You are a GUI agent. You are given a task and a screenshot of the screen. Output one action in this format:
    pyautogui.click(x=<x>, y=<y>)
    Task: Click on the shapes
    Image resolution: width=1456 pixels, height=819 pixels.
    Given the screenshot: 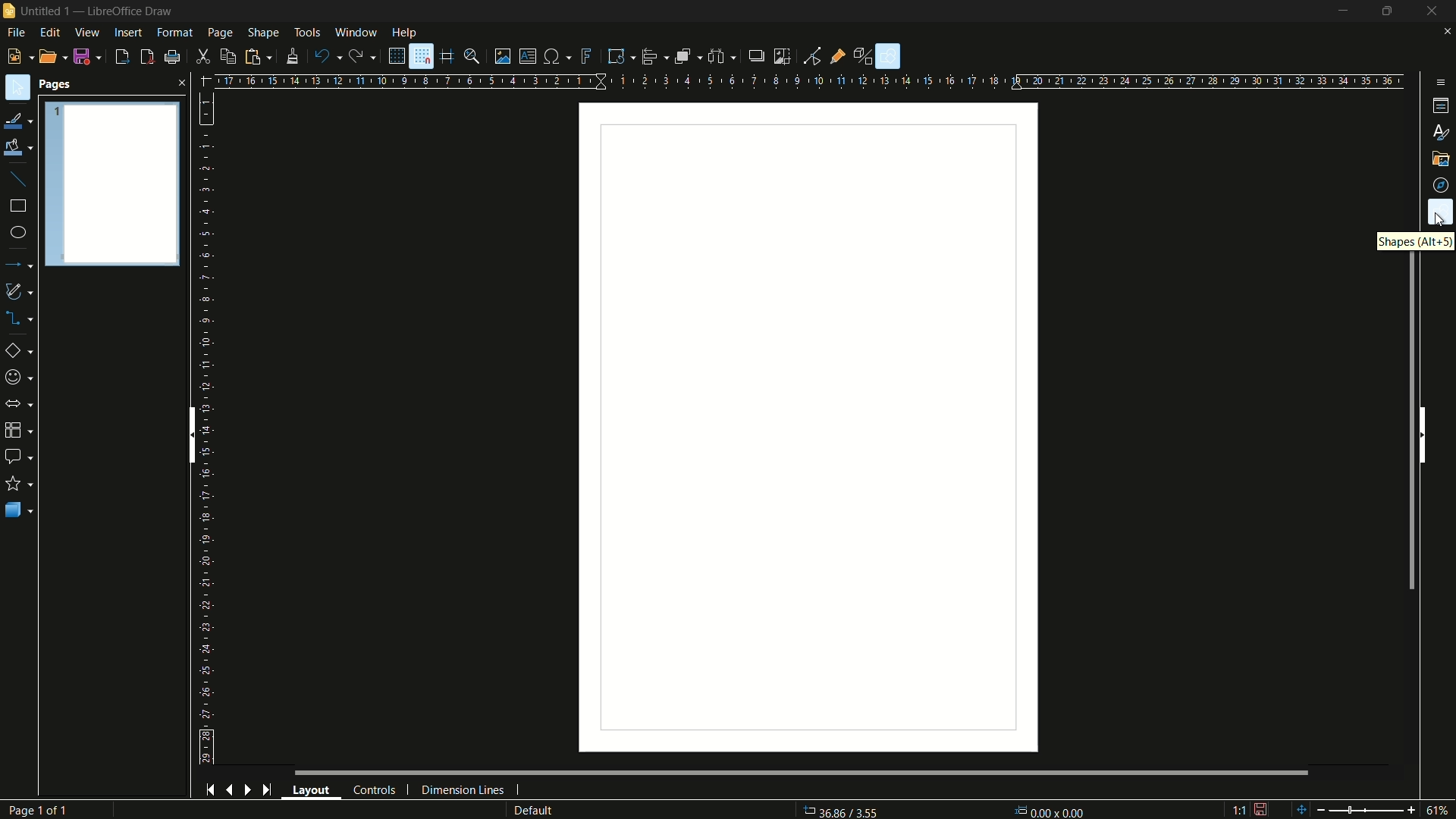 What is the action you would take?
    pyautogui.click(x=1441, y=212)
    